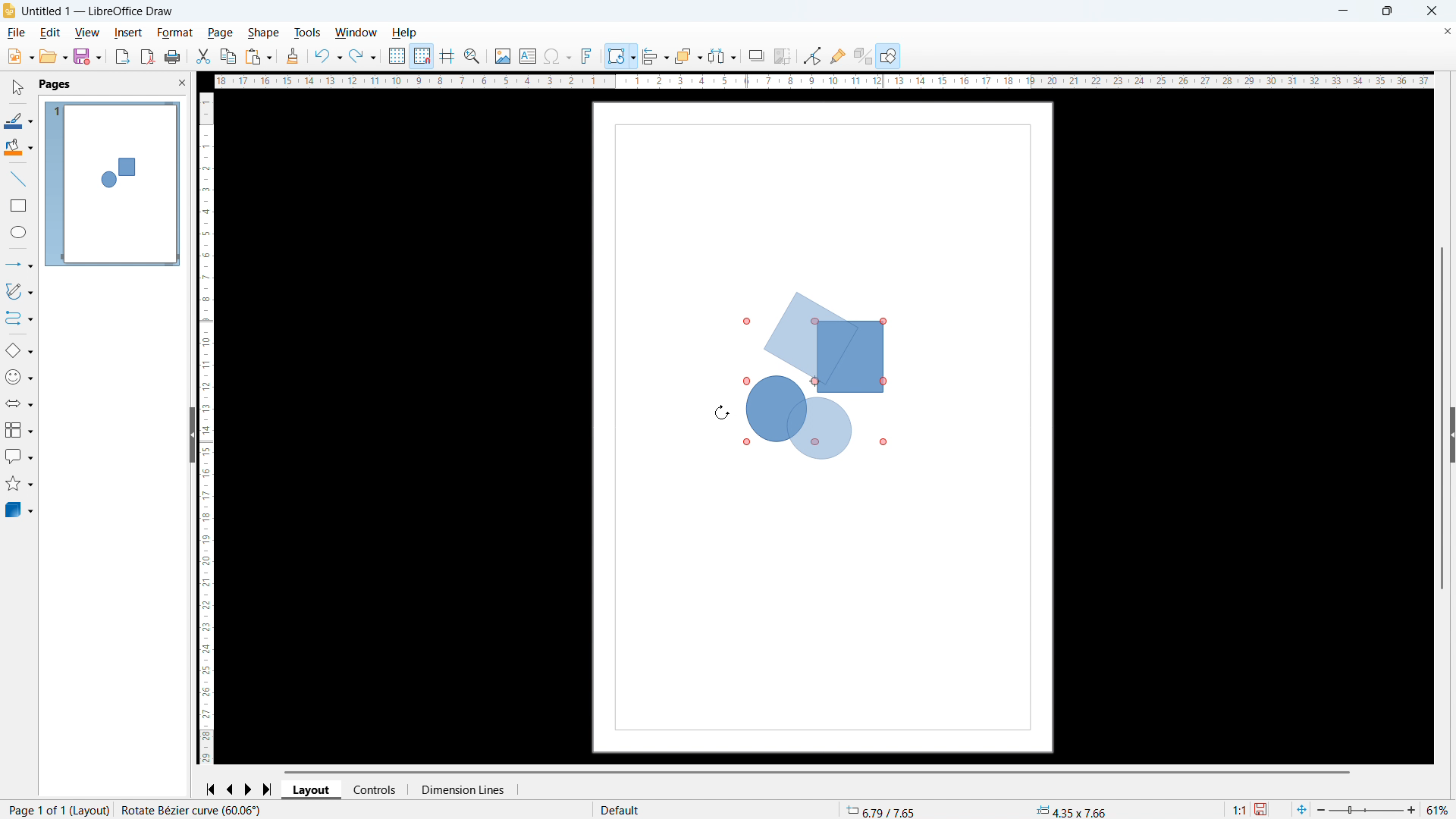  I want to click on shape , so click(264, 33).